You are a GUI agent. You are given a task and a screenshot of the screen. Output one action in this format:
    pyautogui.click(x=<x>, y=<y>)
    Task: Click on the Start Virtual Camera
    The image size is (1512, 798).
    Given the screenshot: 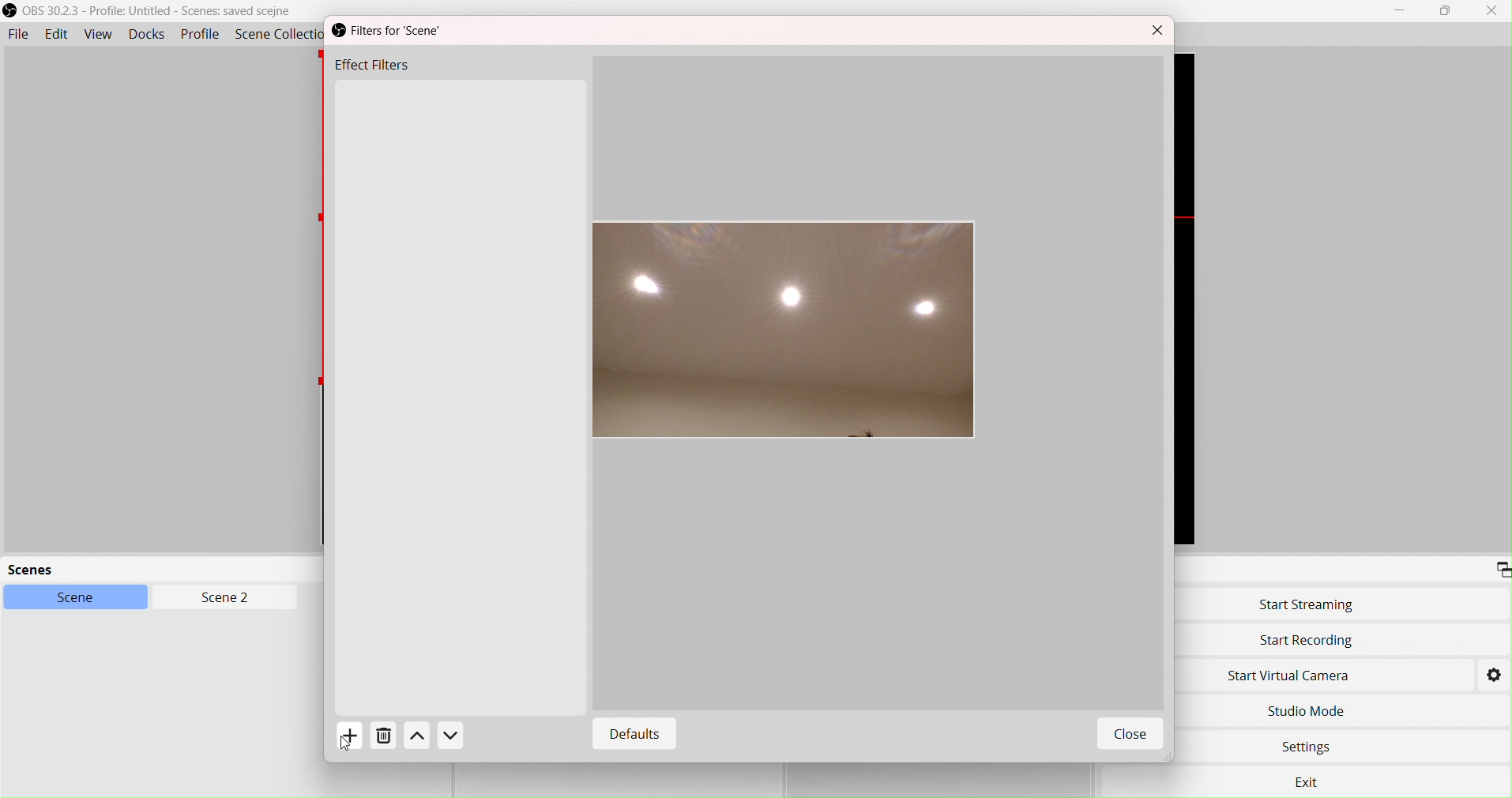 What is the action you would take?
    pyautogui.click(x=1299, y=675)
    